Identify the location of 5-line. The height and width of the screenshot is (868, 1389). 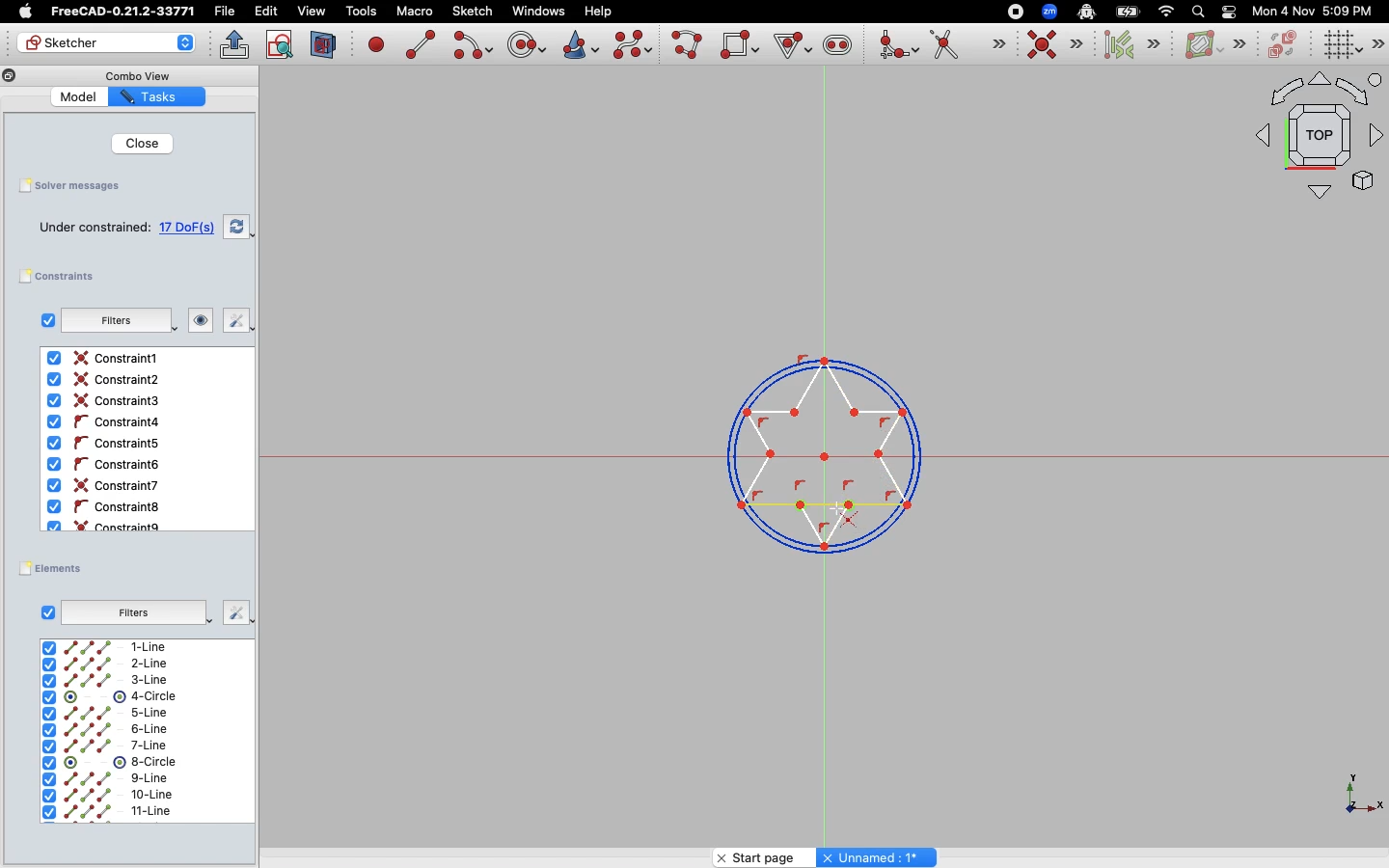
(107, 713).